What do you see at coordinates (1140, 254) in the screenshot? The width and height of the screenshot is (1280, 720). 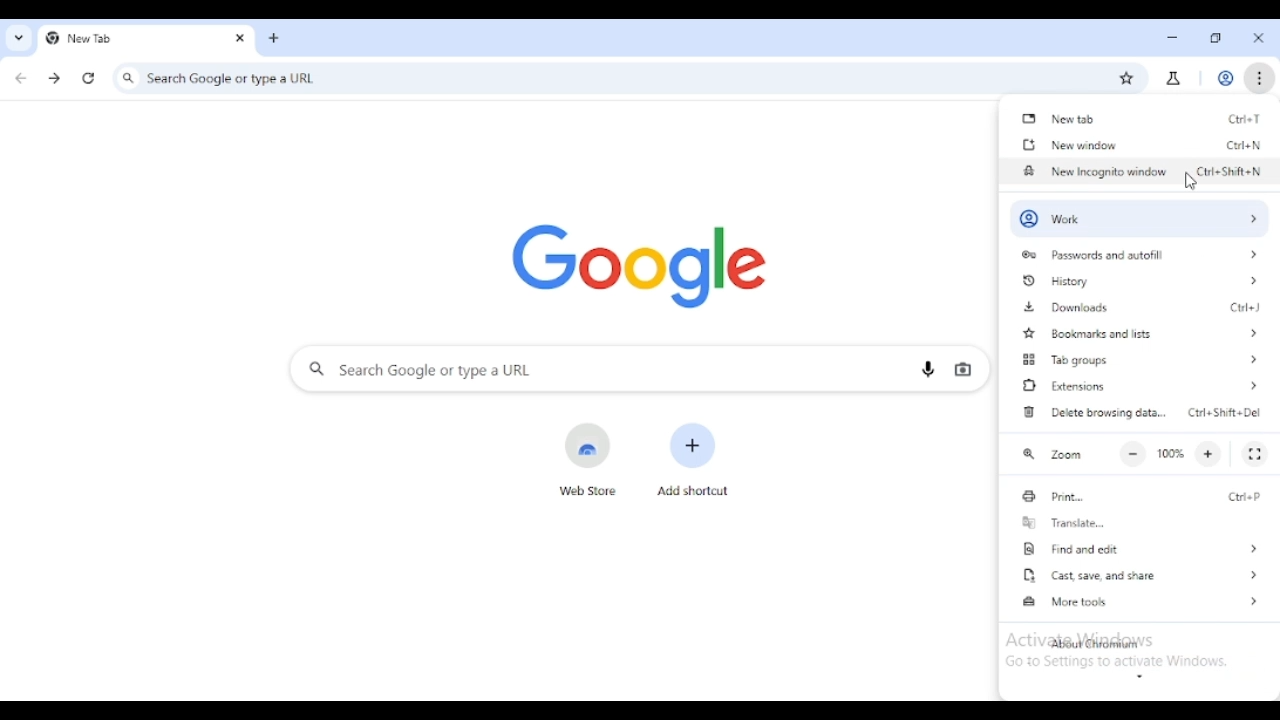 I see `passwords and autofill` at bounding box center [1140, 254].